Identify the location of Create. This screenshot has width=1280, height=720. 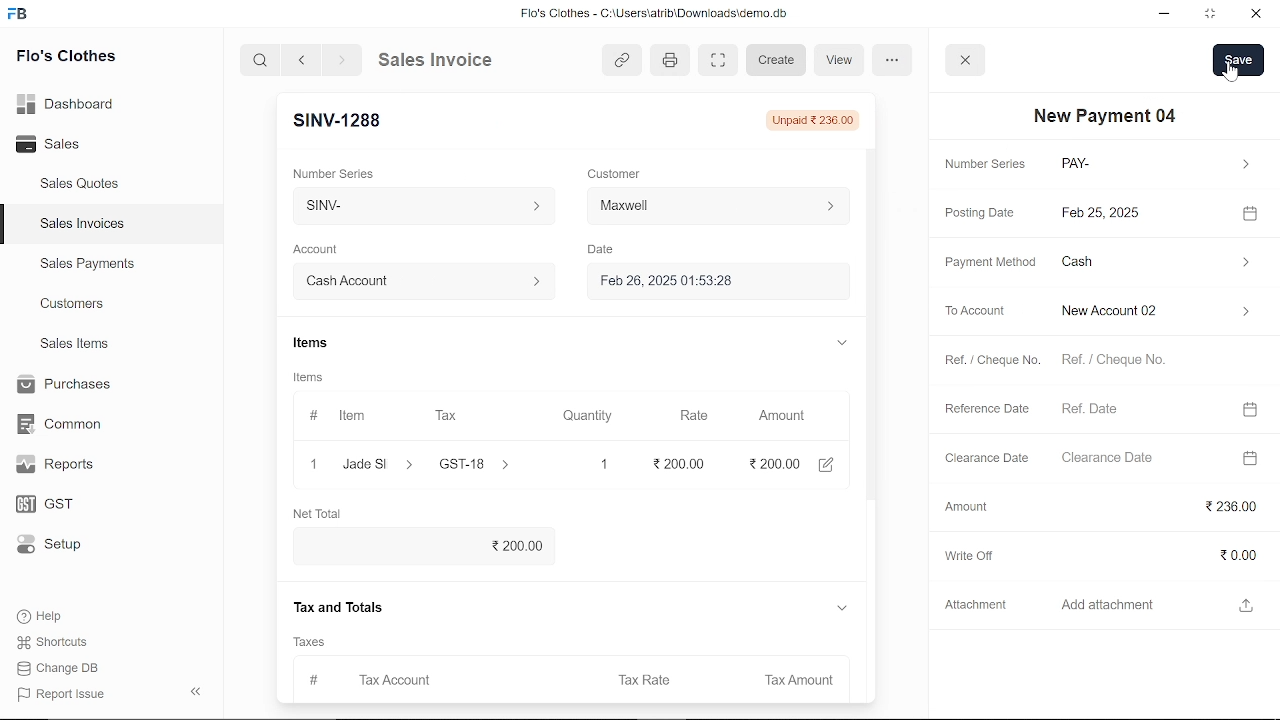
(777, 61).